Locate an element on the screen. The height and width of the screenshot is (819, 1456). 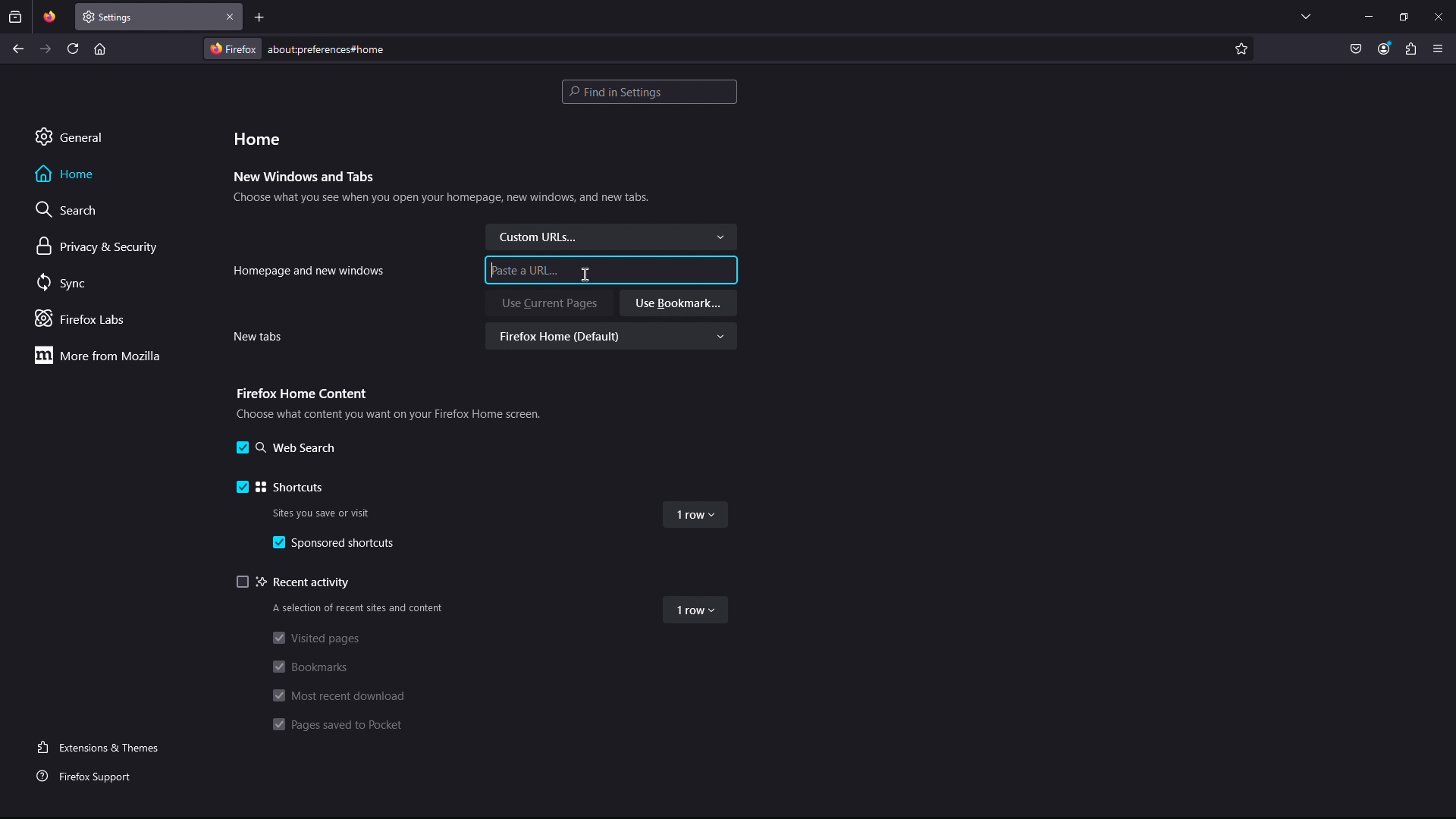
Homepage and new windows is located at coordinates (309, 269).